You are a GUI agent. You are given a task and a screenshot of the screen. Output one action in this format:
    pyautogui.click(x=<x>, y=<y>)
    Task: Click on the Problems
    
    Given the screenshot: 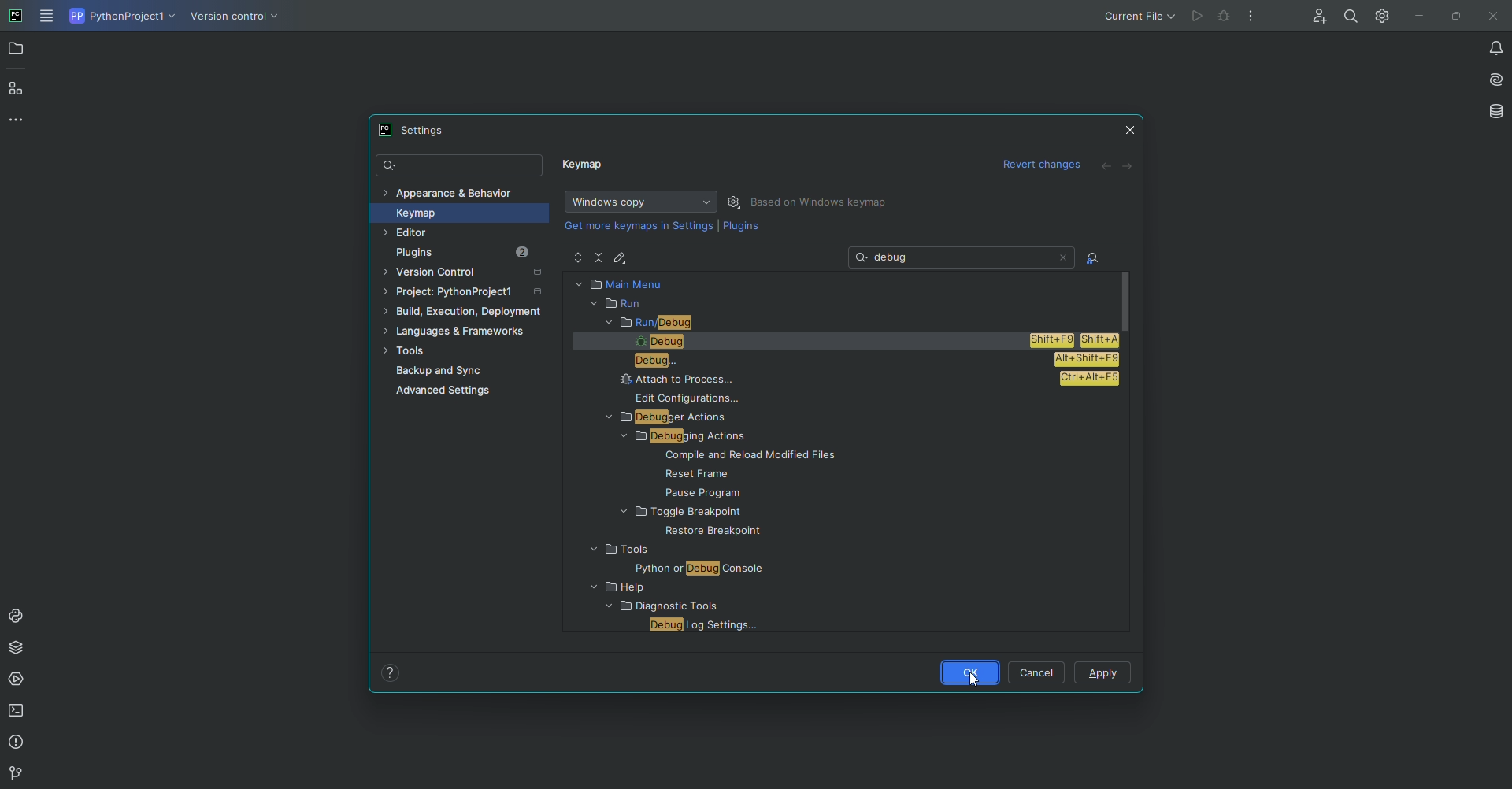 What is the action you would take?
    pyautogui.click(x=18, y=743)
    